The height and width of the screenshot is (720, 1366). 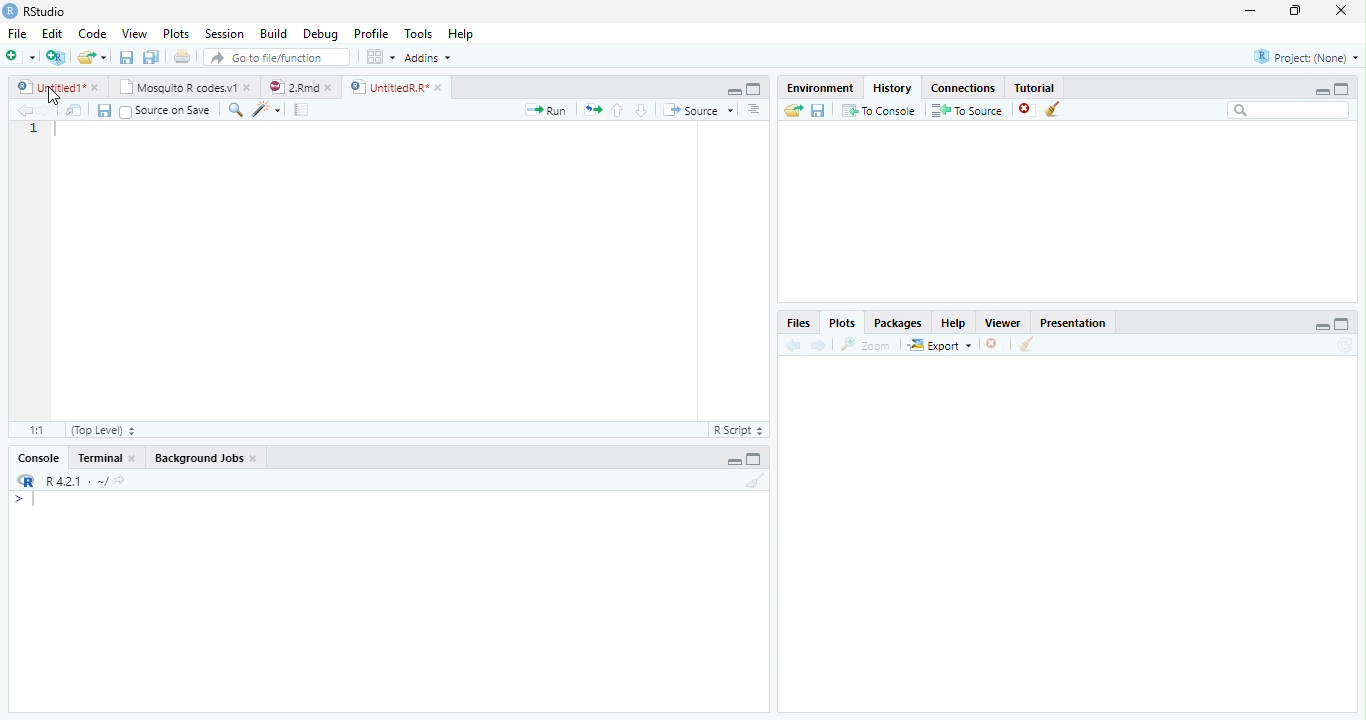 What do you see at coordinates (1320, 329) in the screenshot?
I see `minimize` at bounding box center [1320, 329].